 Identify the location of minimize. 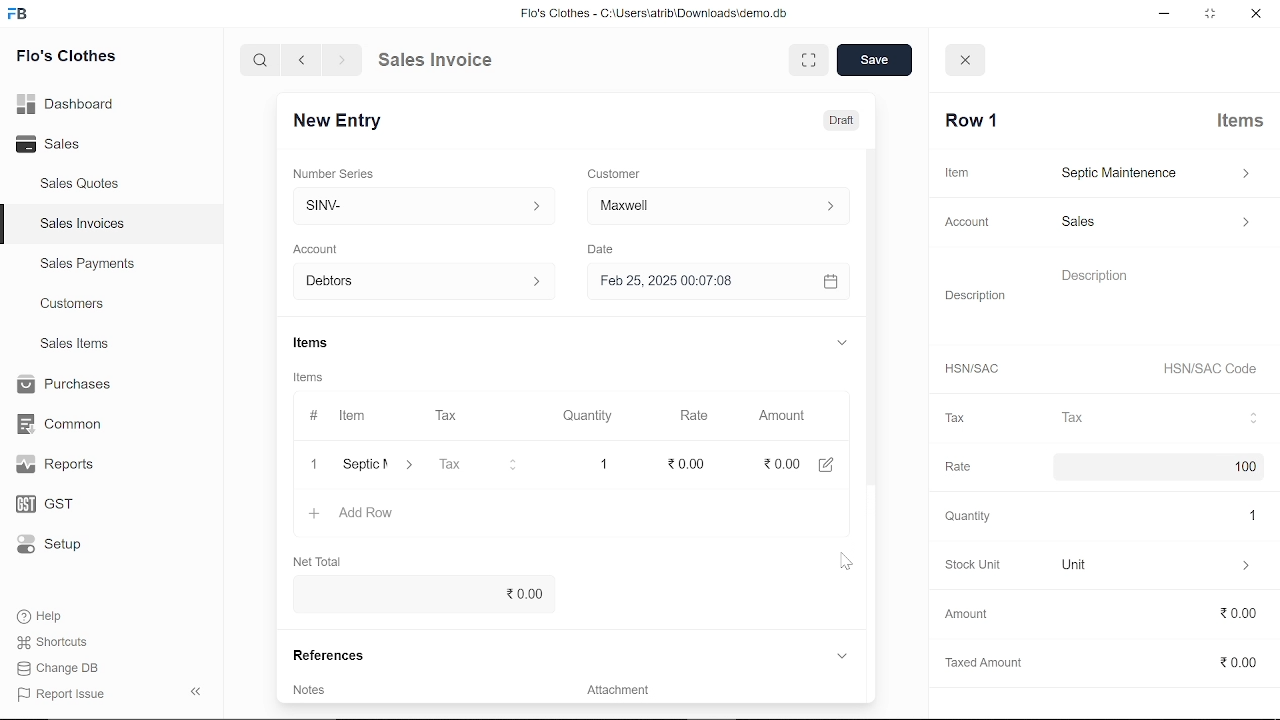
(1160, 14).